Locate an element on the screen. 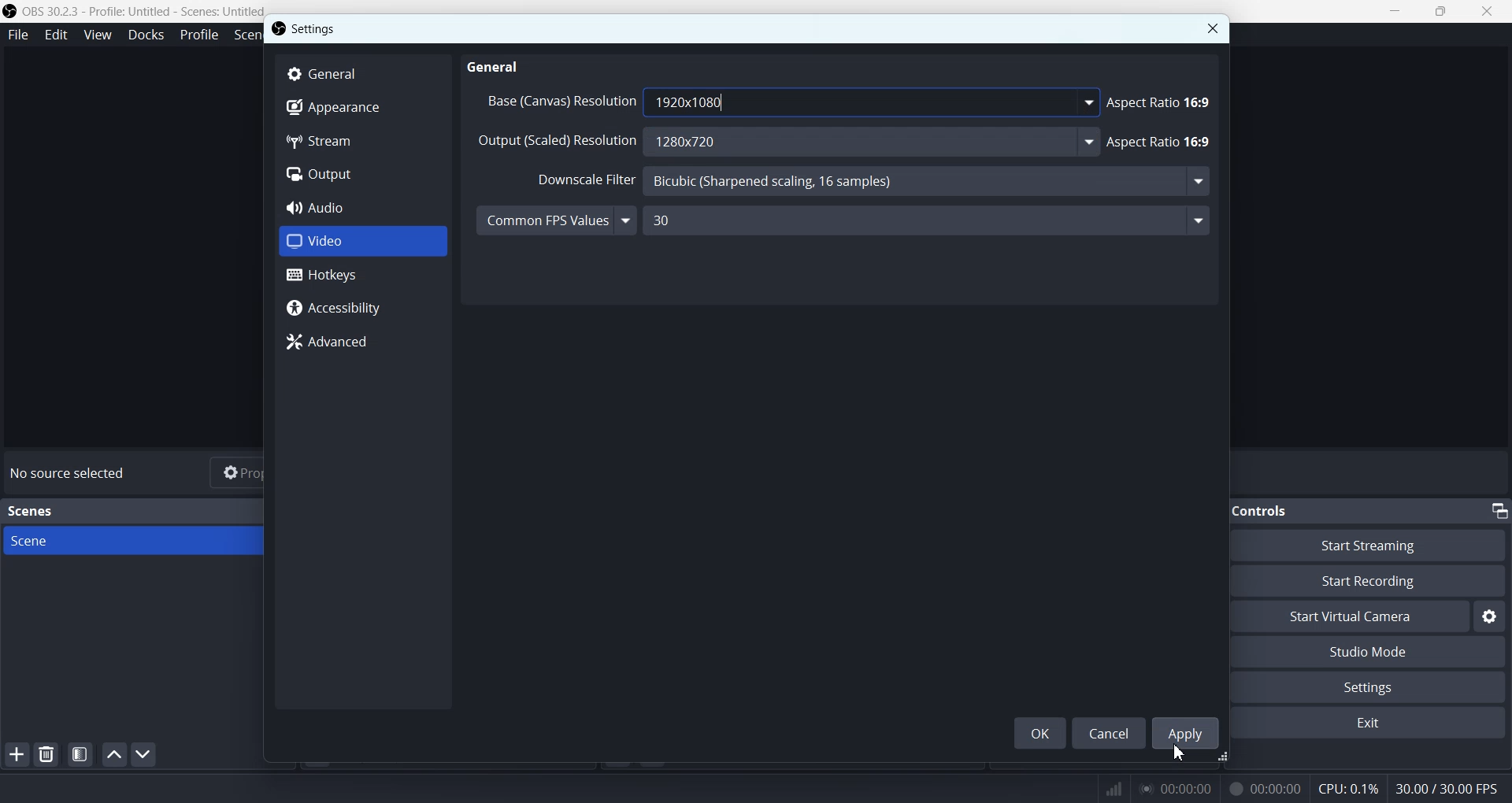 This screenshot has width=1512, height=803. Scene is located at coordinates (150, 541).